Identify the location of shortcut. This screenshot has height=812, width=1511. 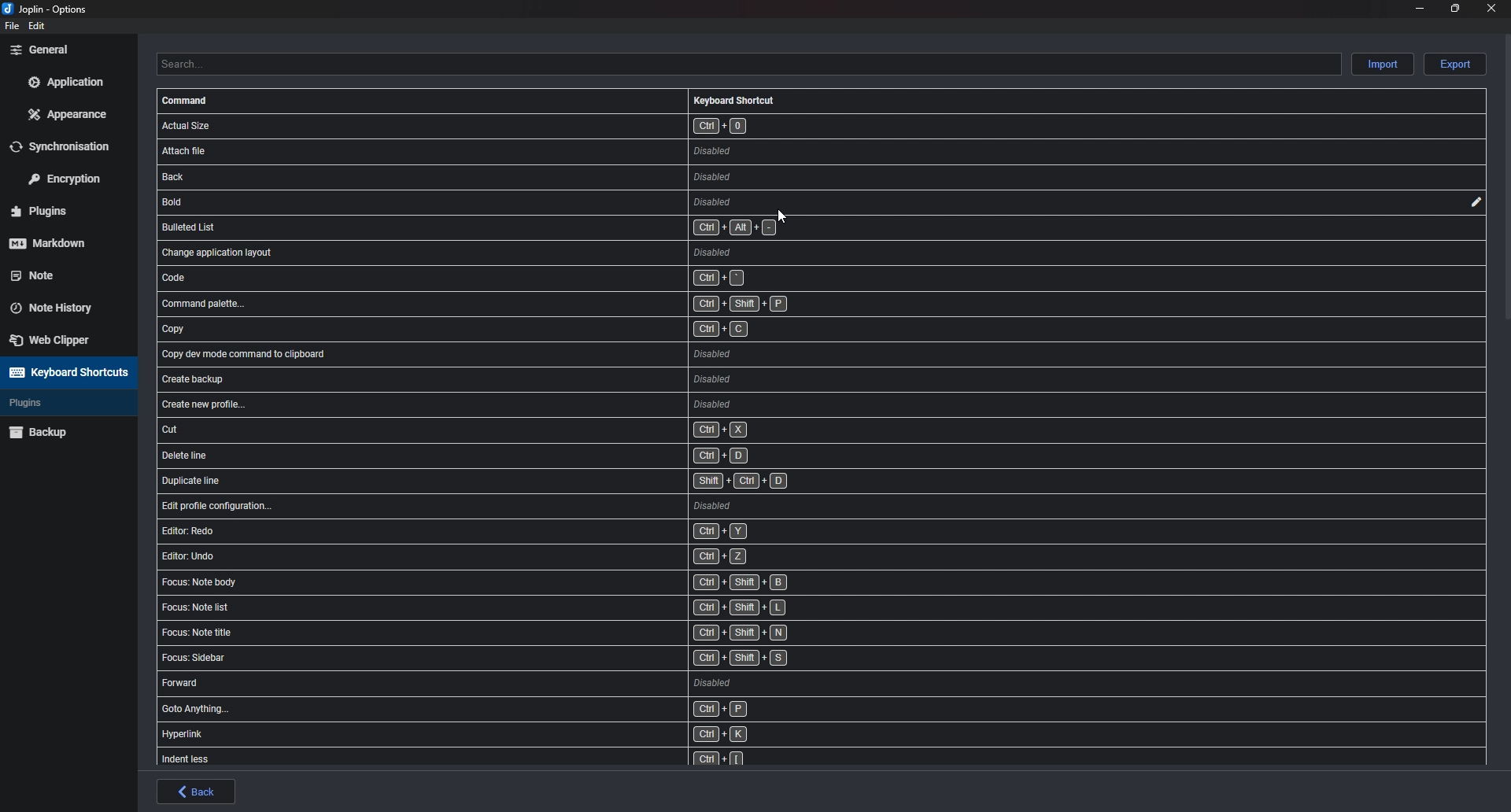
(522, 584).